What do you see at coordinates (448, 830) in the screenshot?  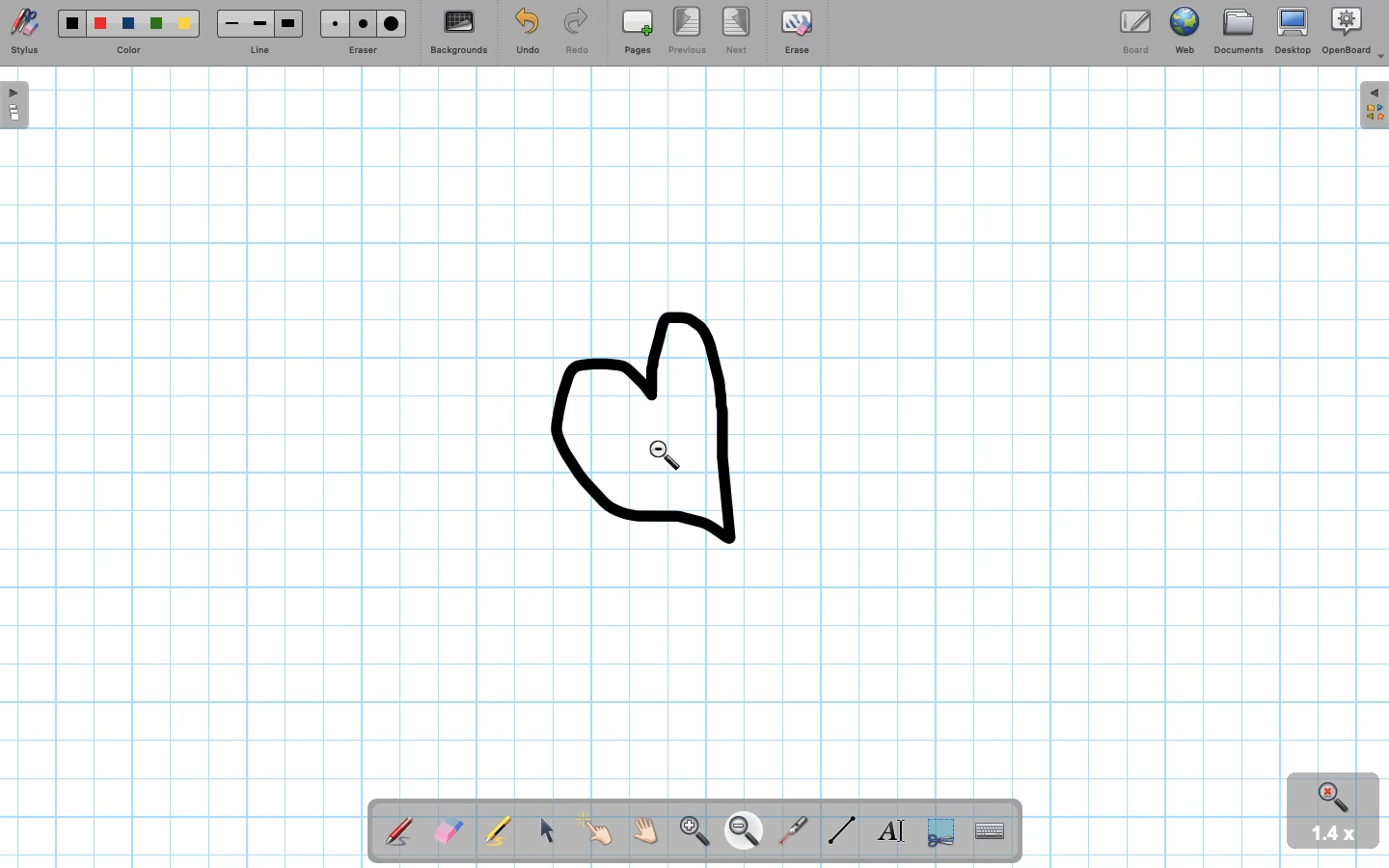 I see `Eraser` at bounding box center [448, 830].